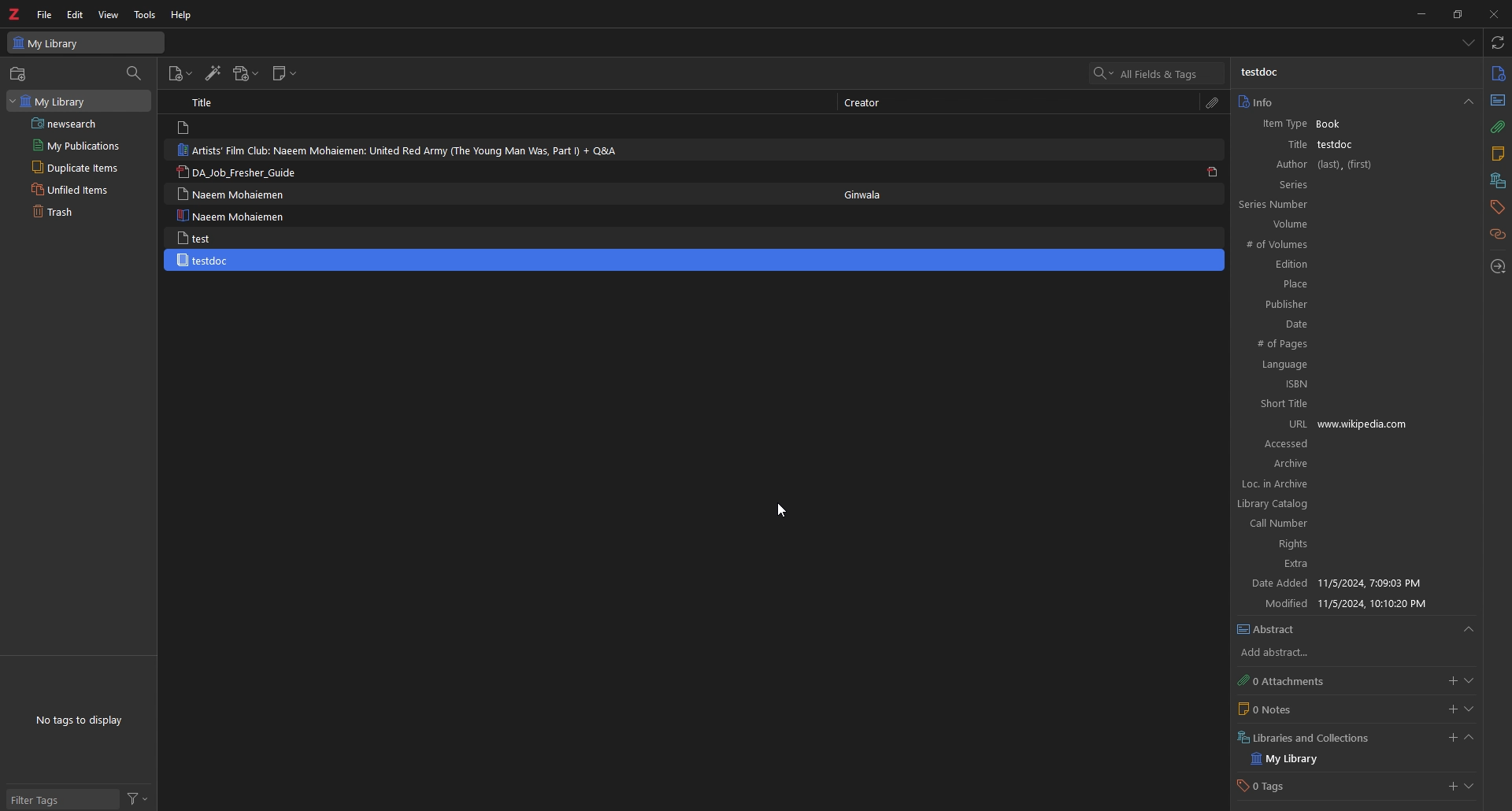 This screenshot has height=811, width=1512. I want to click on No tags to display, so click(83, 719).